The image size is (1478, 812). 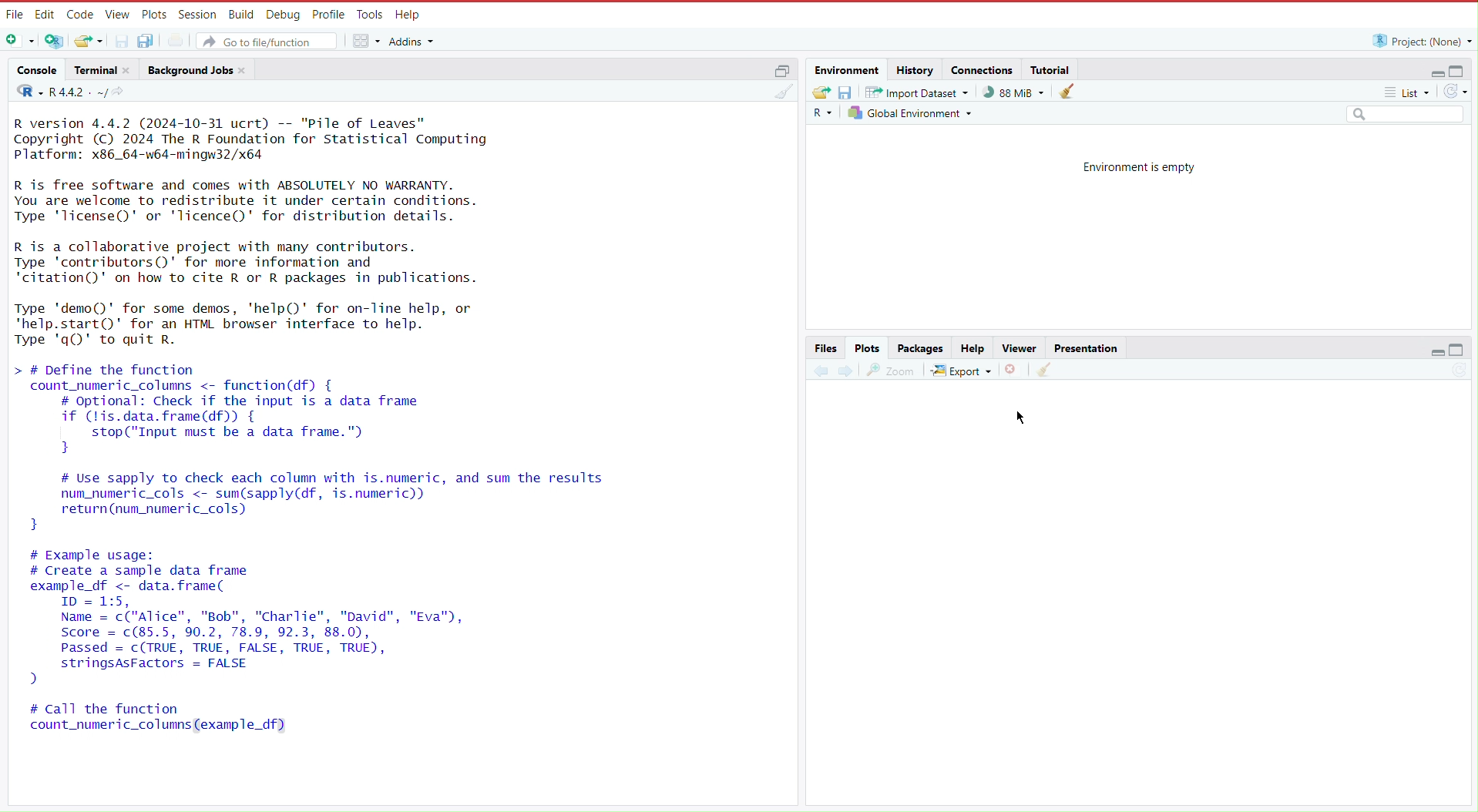 I want to click on Help, so click(x=972, y=348).